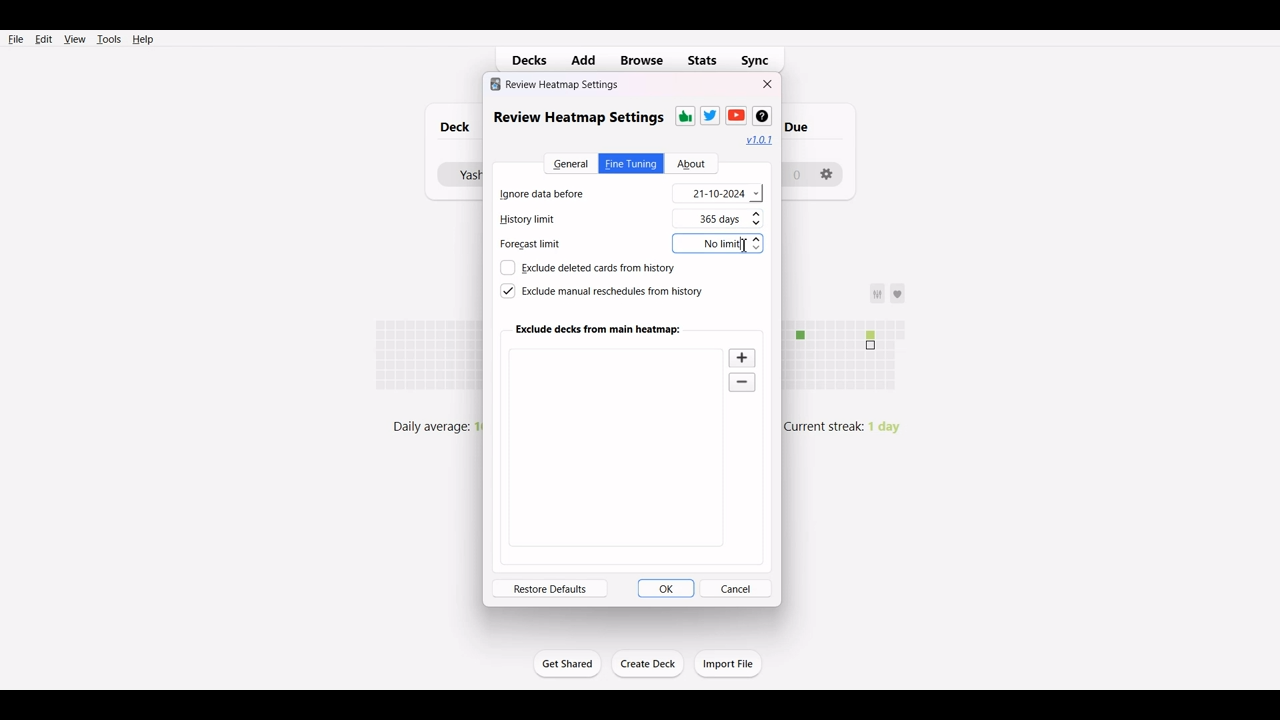  What do you see at coordinates (736, 115) in the screenshot?
I see `Youtube` at bounding box center [736, 115].